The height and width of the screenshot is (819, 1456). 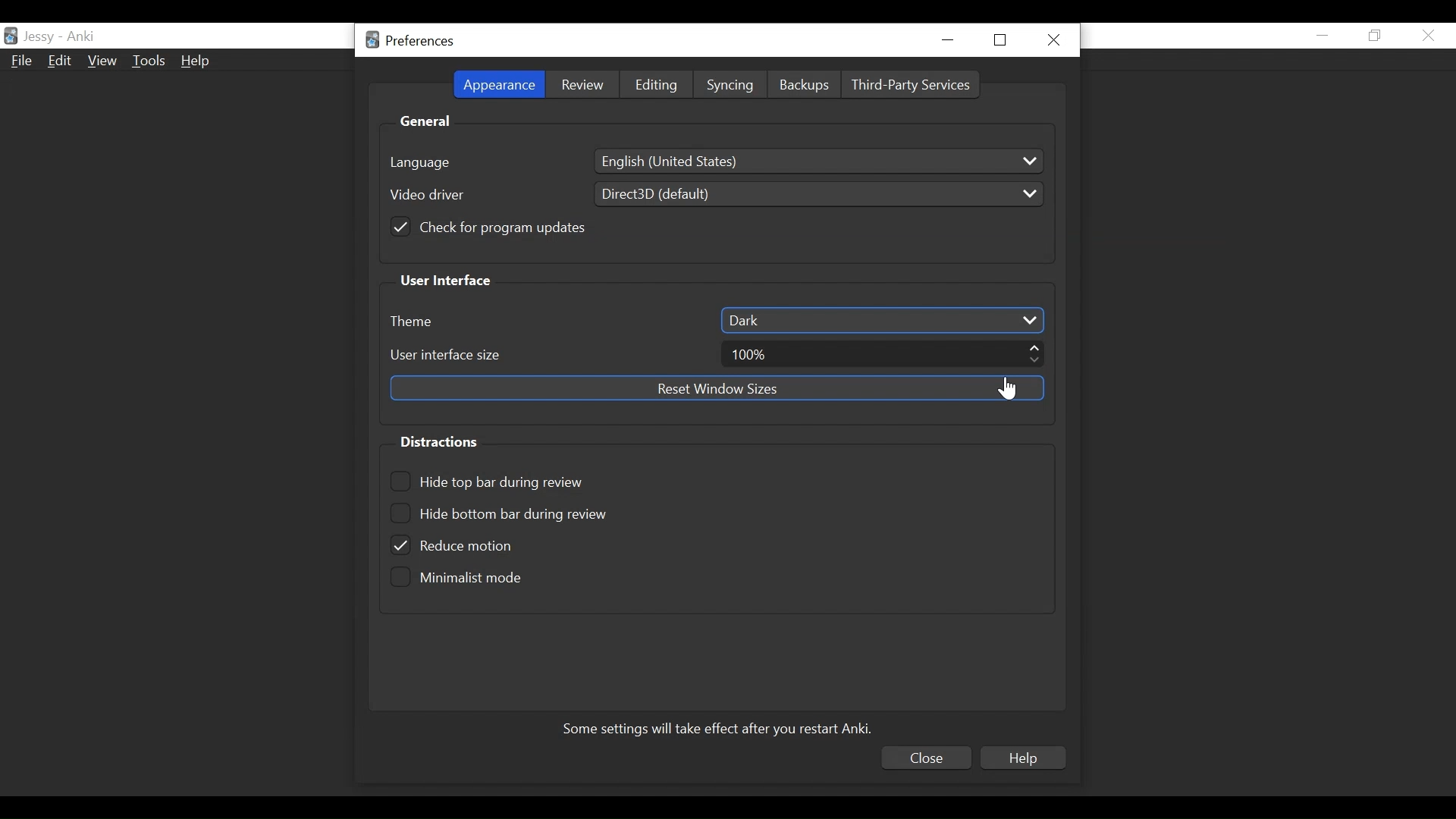 I want to click on Help, so click(x=197, y=61).